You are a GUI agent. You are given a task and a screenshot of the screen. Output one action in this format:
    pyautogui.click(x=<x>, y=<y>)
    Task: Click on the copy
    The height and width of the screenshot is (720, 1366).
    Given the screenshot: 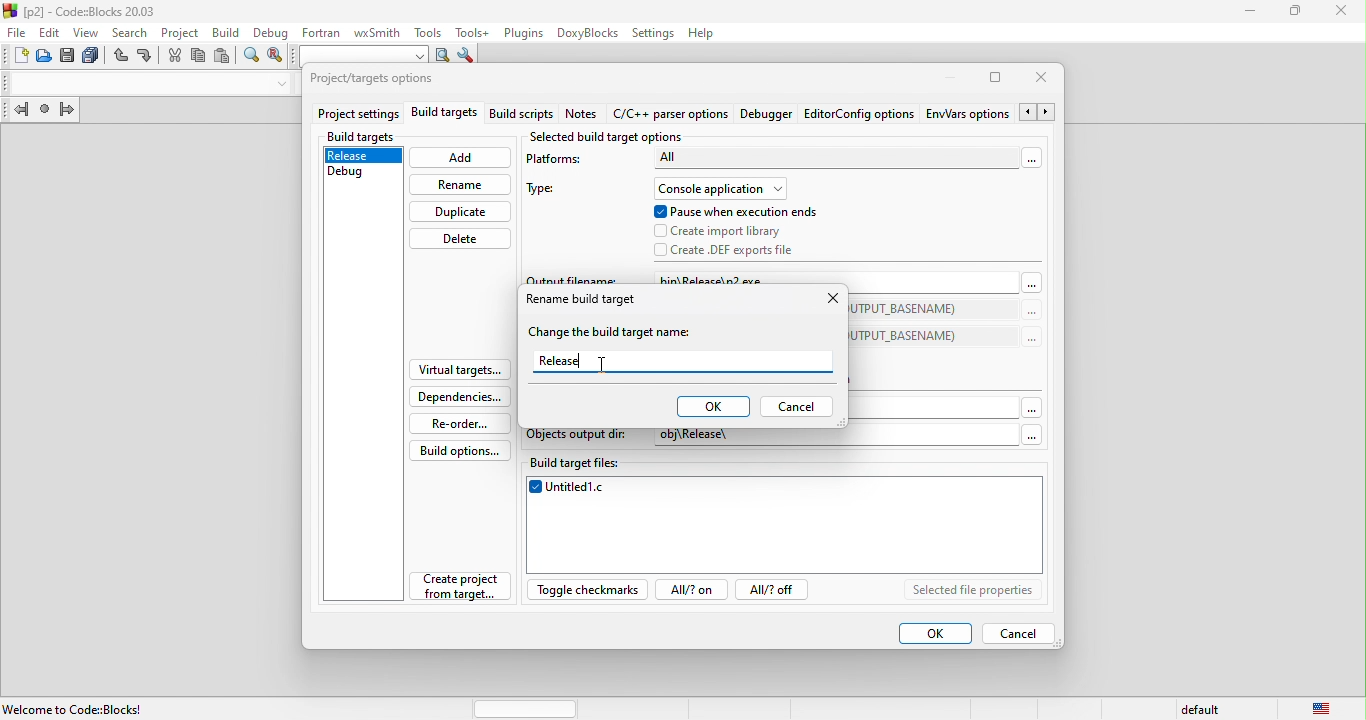 What is the action you would take?
    pyautogui.click(x=199, y=59)
    